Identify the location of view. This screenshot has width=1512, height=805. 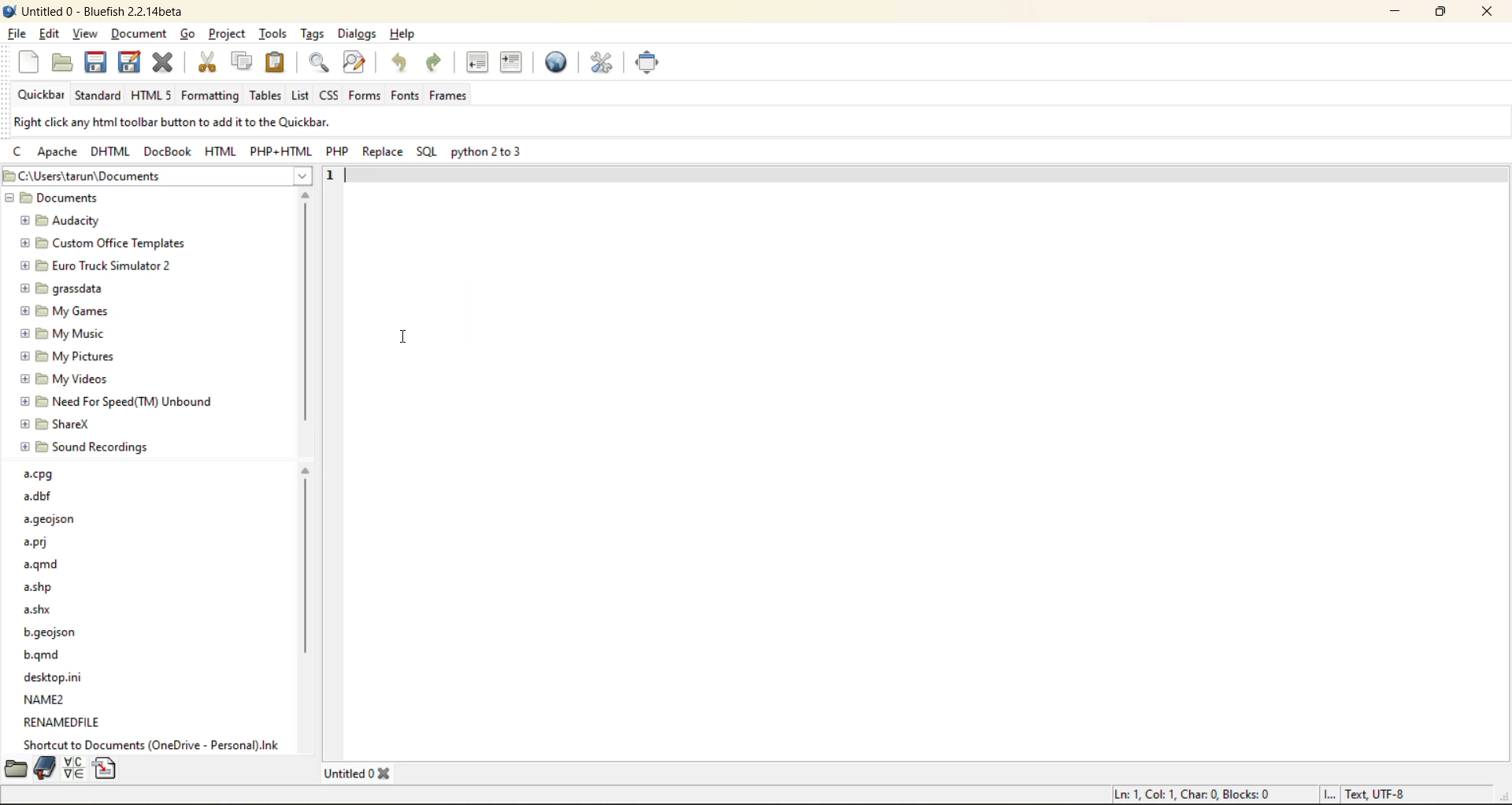
(84, 34).